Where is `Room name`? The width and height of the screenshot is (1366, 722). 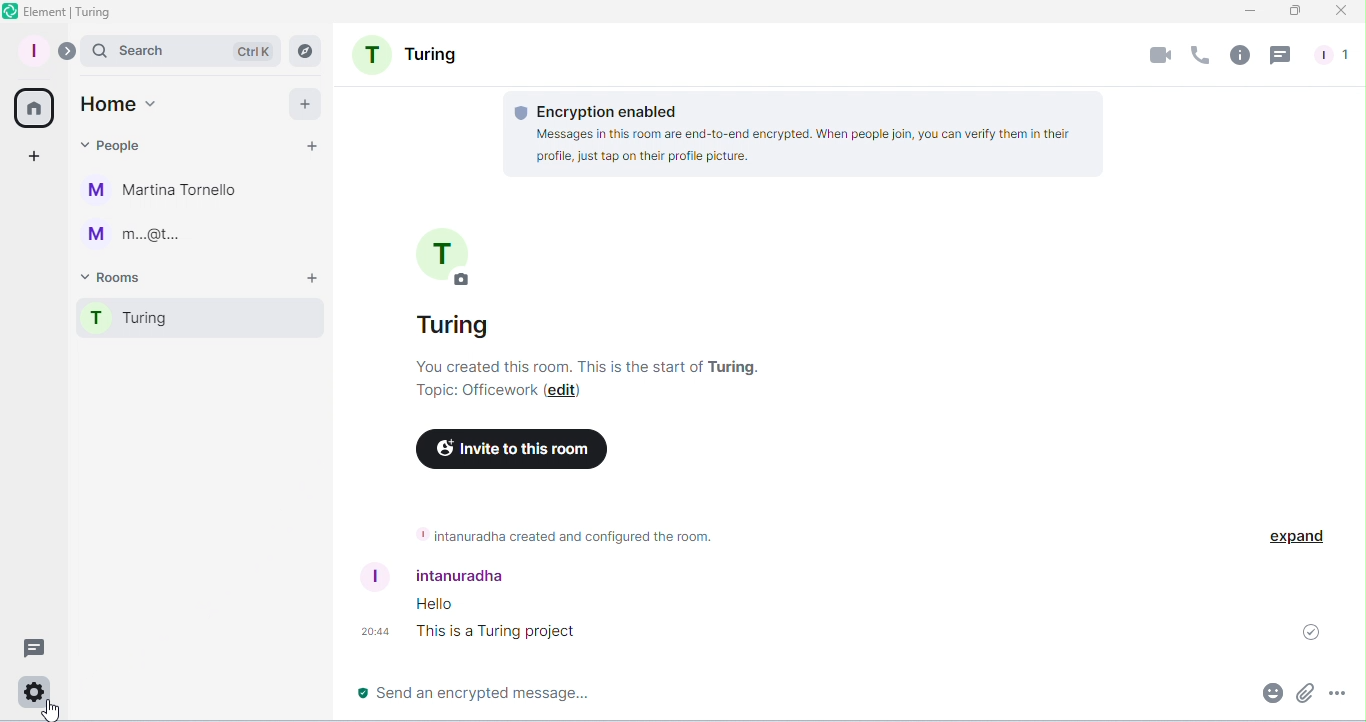
Room name is located at coordinates (439, 278).